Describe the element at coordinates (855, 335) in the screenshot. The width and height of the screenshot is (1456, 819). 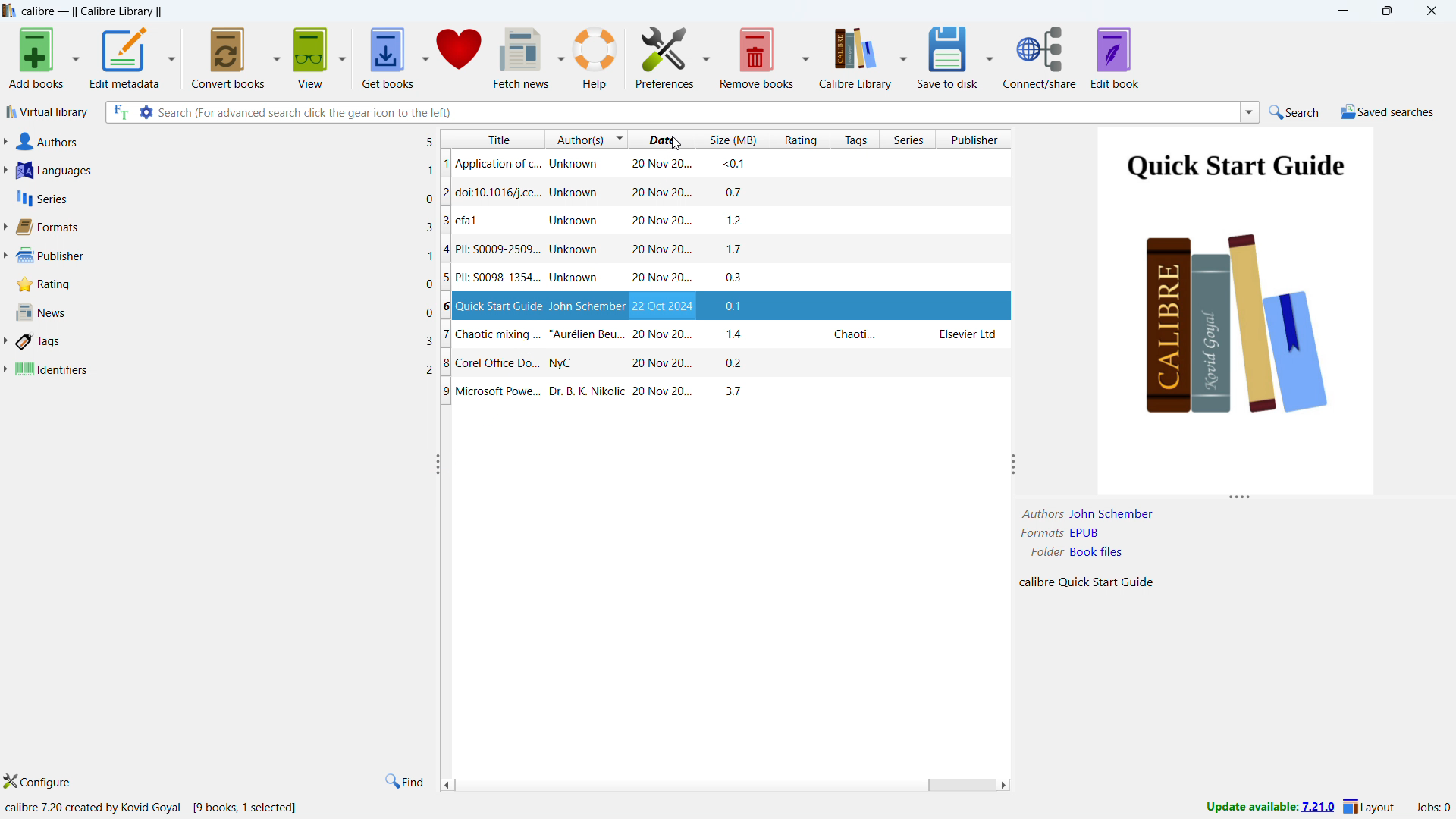
I see `Chaotic..` at that location.